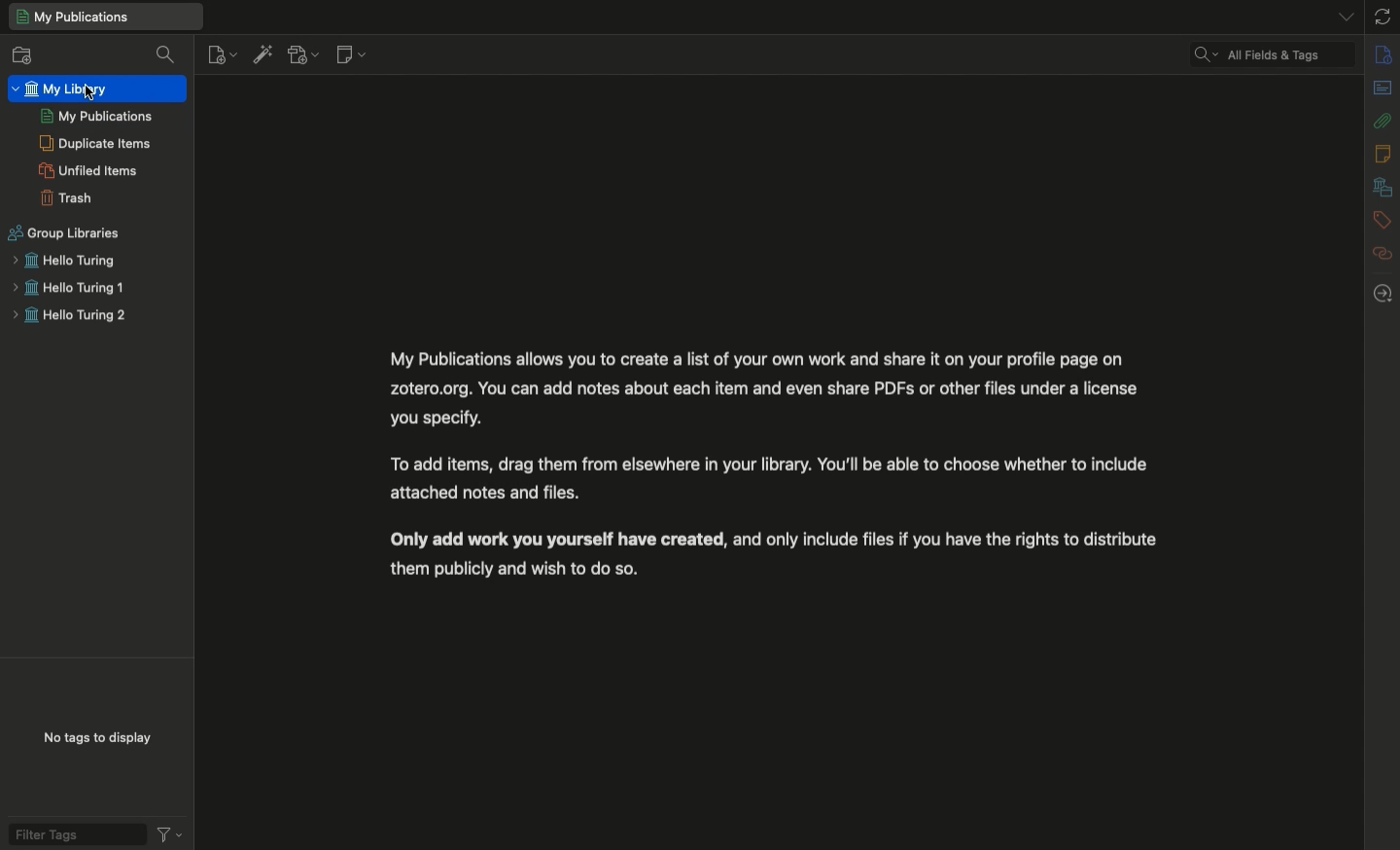 The width and height of the screenshot is (1400, 850). I want to click on Locate, so click(1382, 294).